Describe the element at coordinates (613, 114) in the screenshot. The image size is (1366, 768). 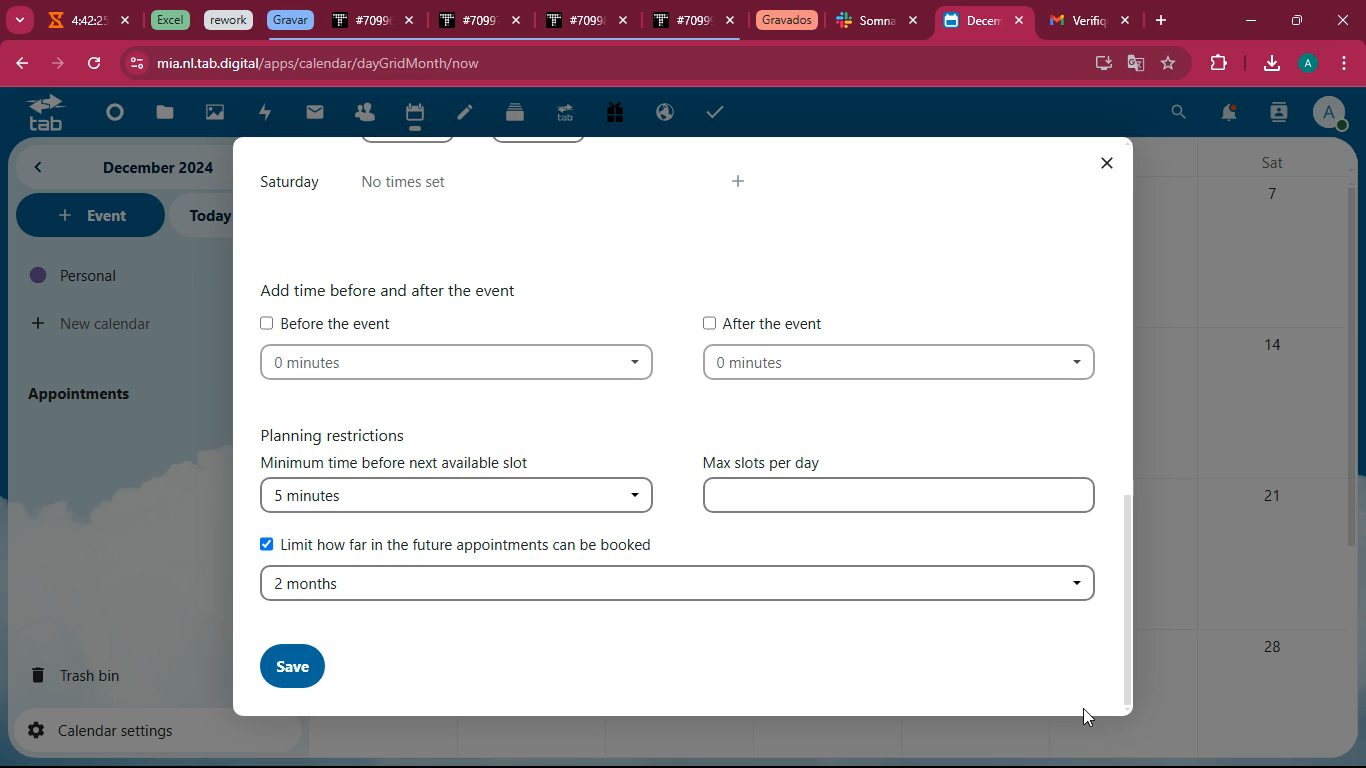
I see `gift` at that location.